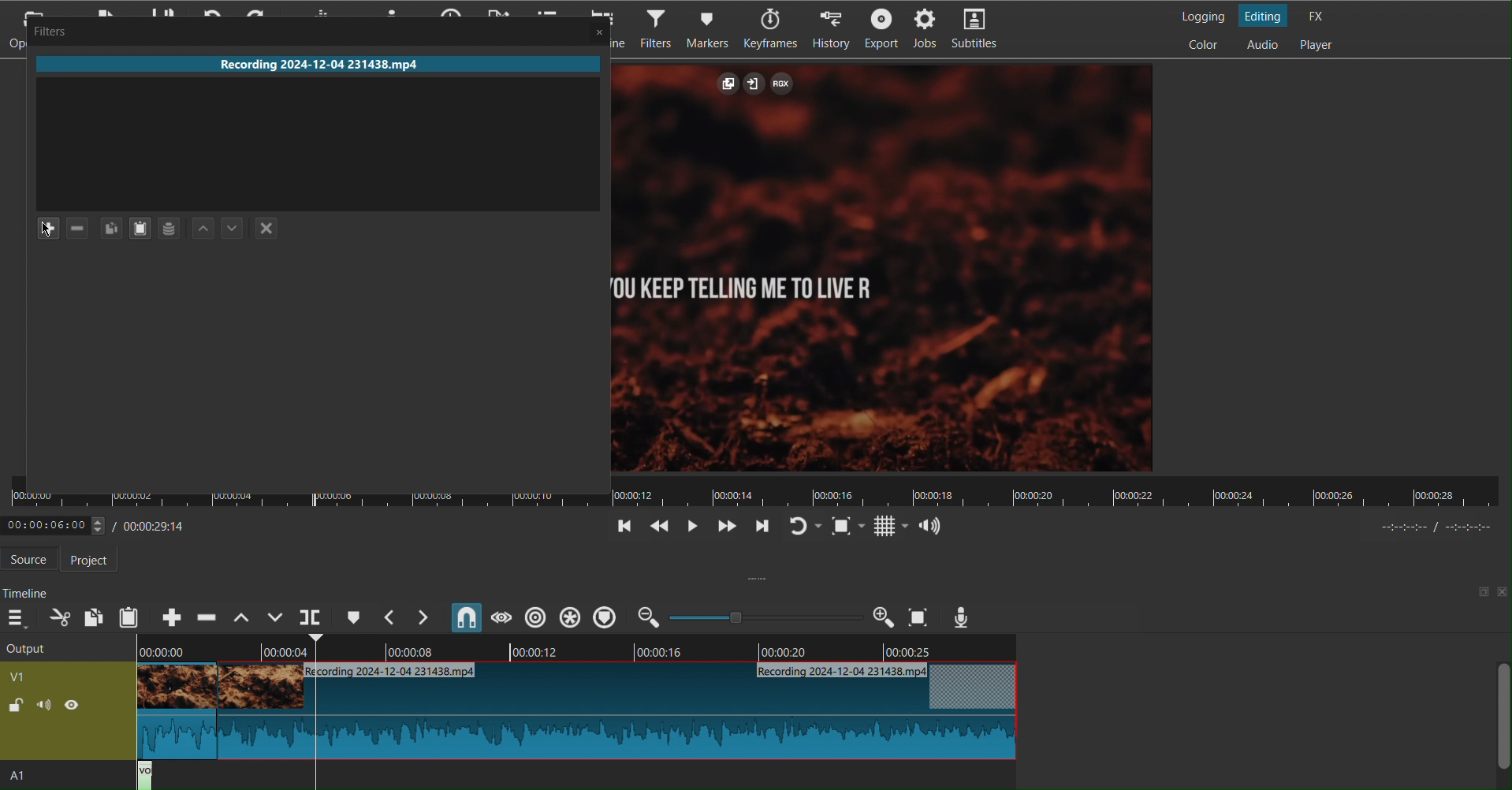  What do you see at coordinates (95, 616) in the screenshot?
I see `Copy` at bounding box center [95, 616].